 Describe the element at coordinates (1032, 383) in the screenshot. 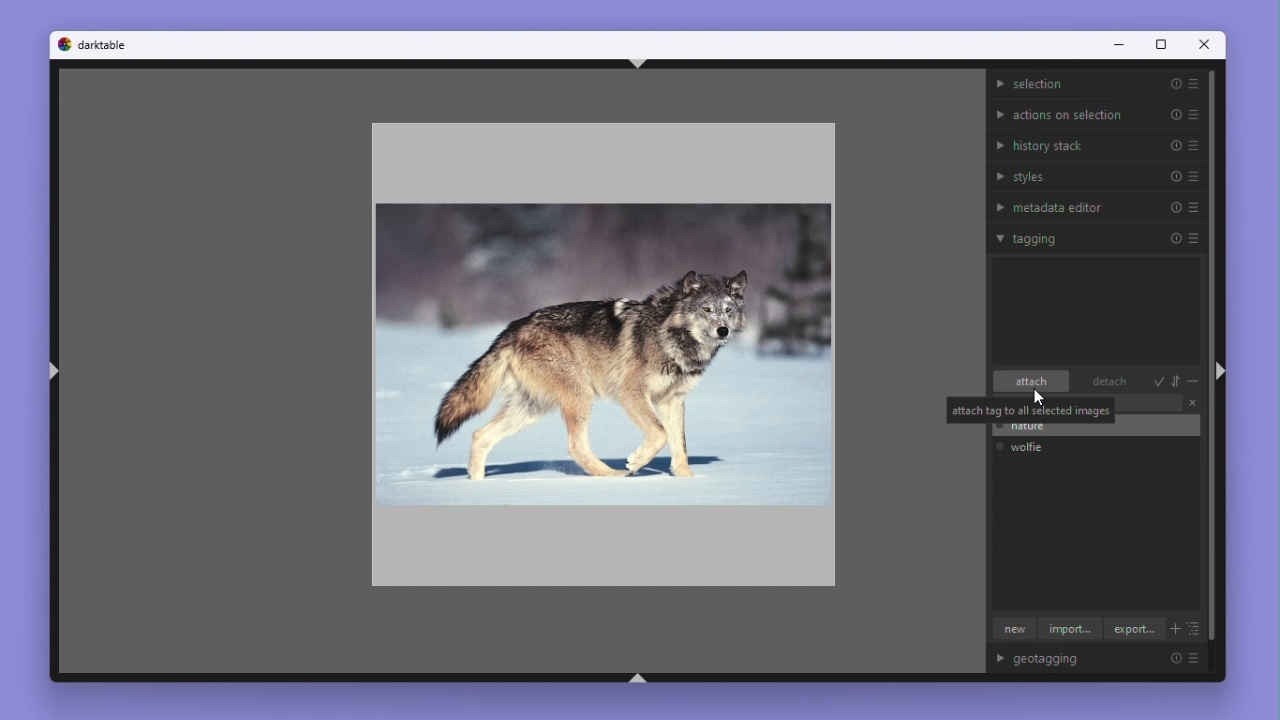

I see `Attach` at that location.